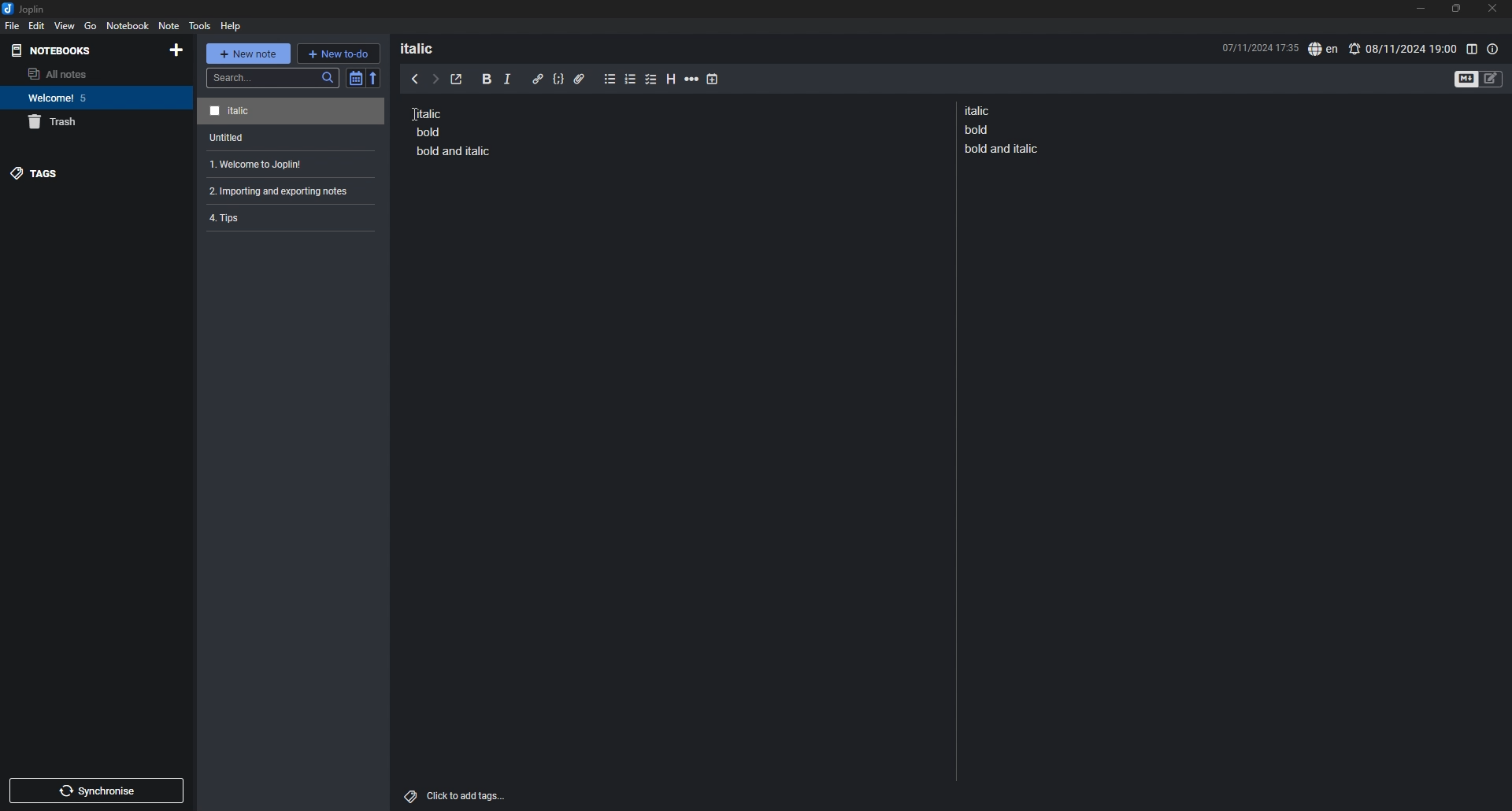 This screenshot has width=1512, height=811. What do you see at coordinates (65, 25) in the screenshot?
I see `view` at bounding box center [65, 25].